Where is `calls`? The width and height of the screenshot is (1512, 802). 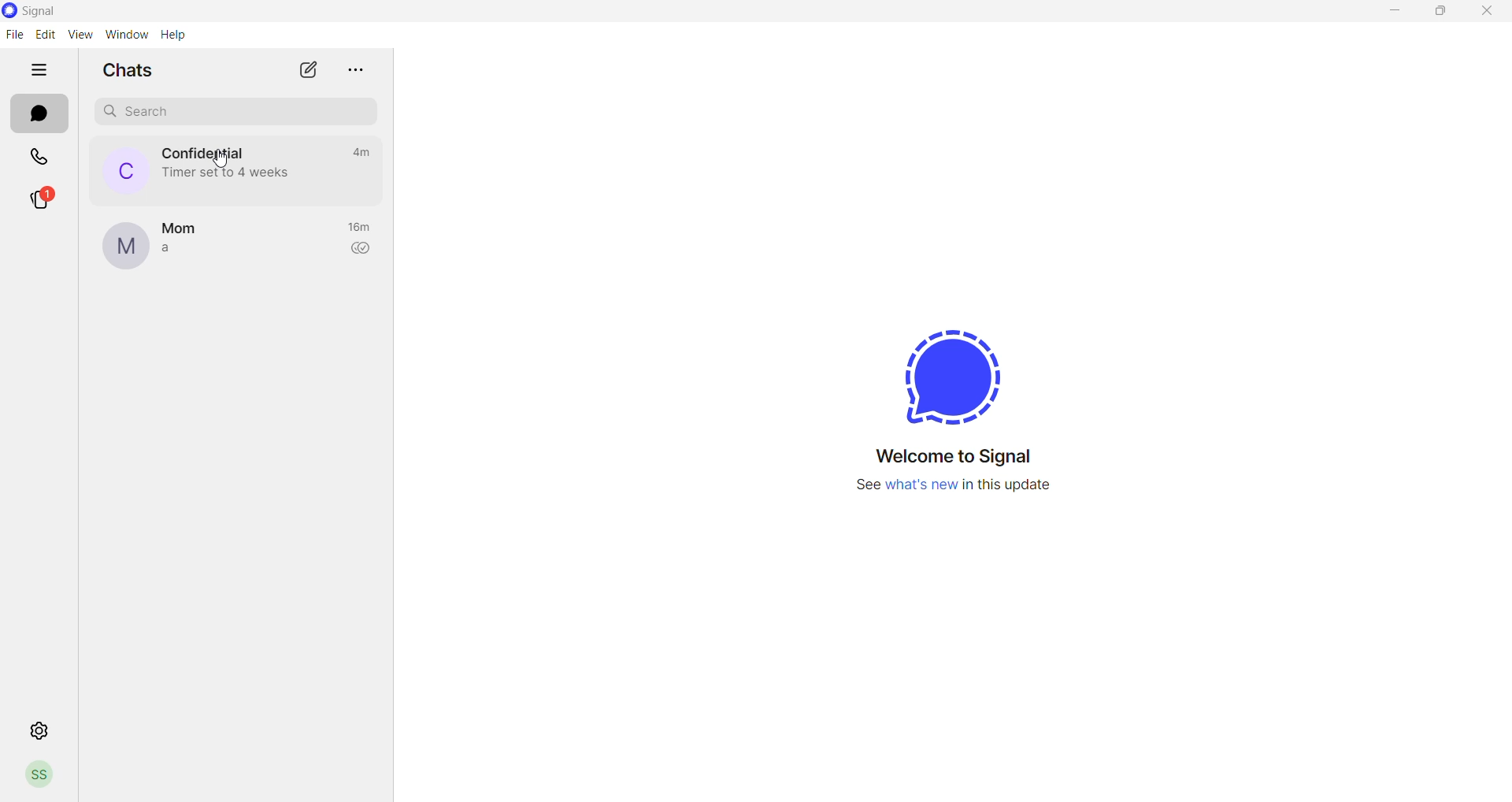
calls is located at coordinates (39, 157).